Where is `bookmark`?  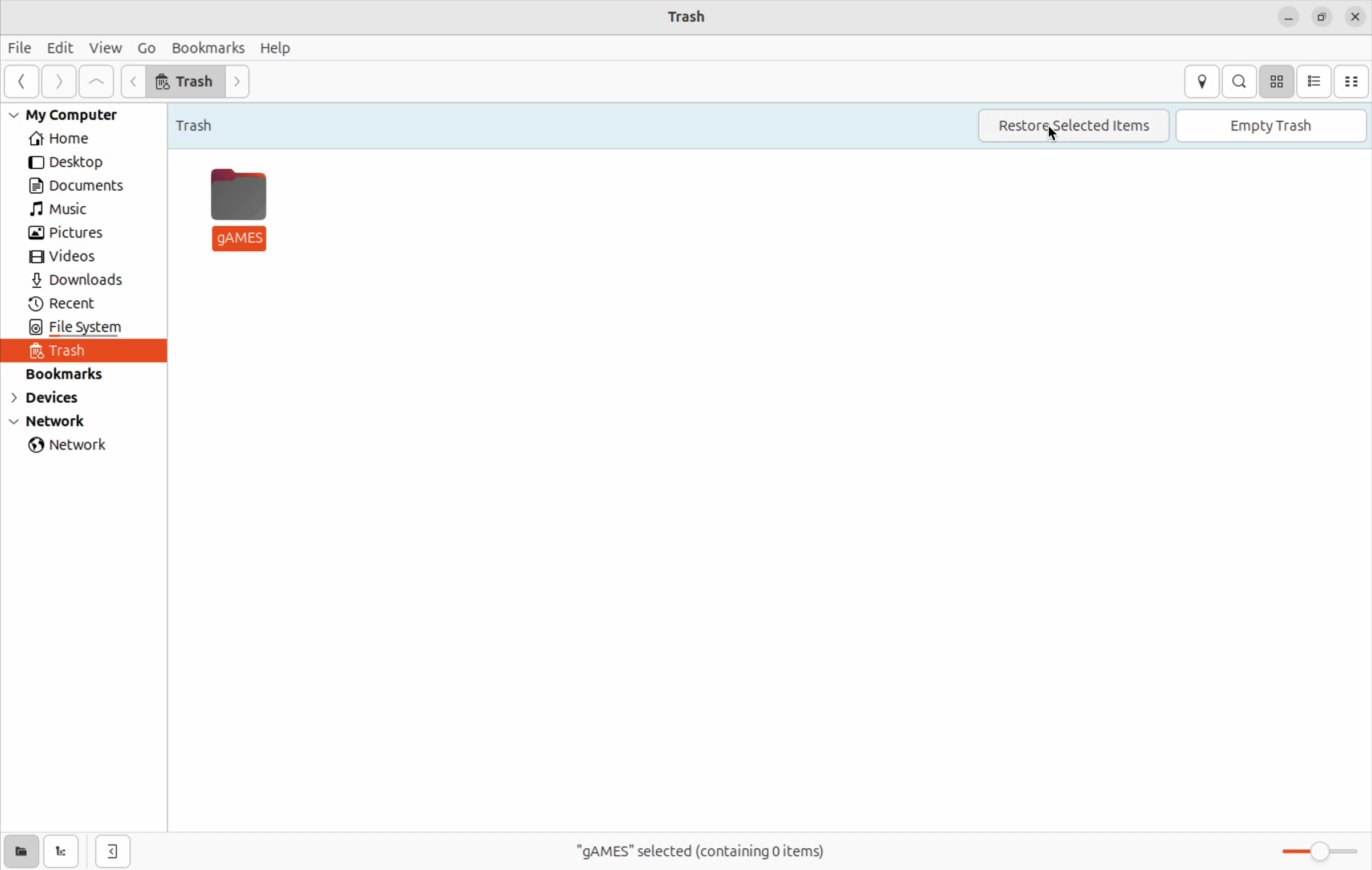 bookmark is located at coordinates (206, 47).